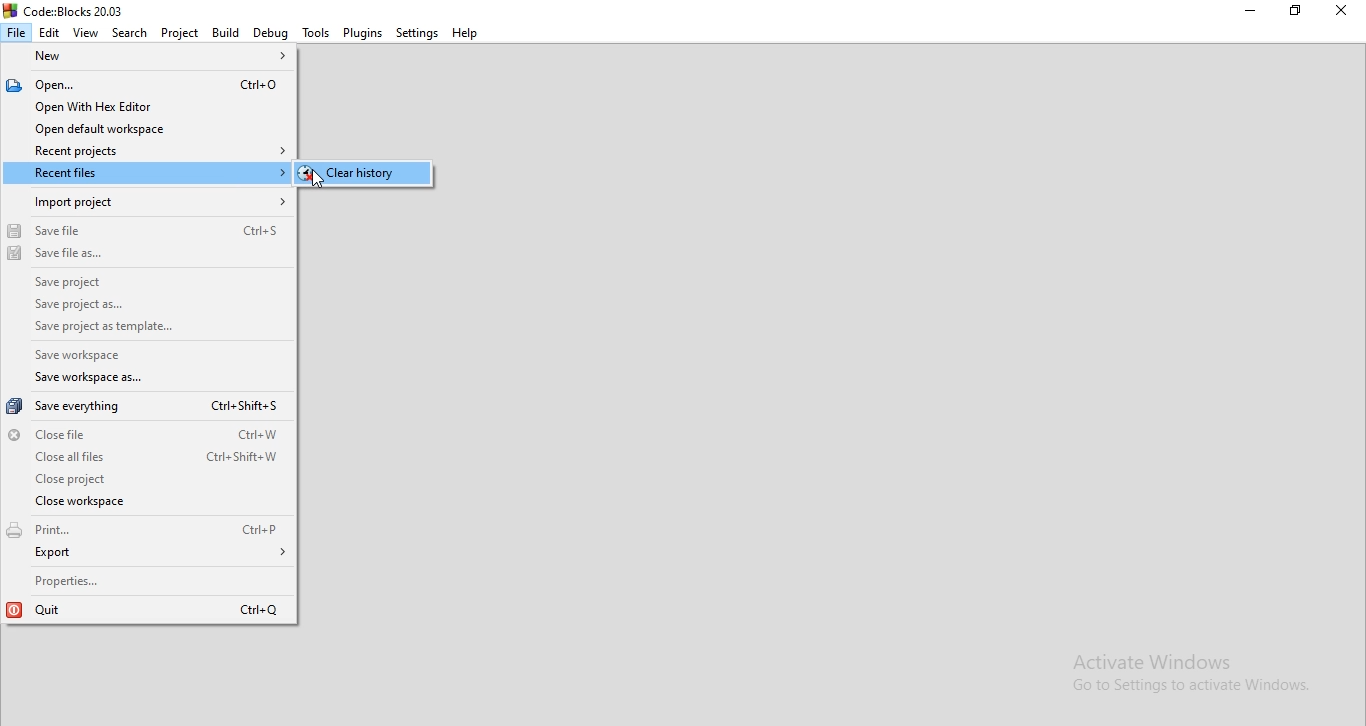 The image size is (1366, 726). Describe the element at coordinates (465, 33) in the screenshot. I see `Help` at that location.